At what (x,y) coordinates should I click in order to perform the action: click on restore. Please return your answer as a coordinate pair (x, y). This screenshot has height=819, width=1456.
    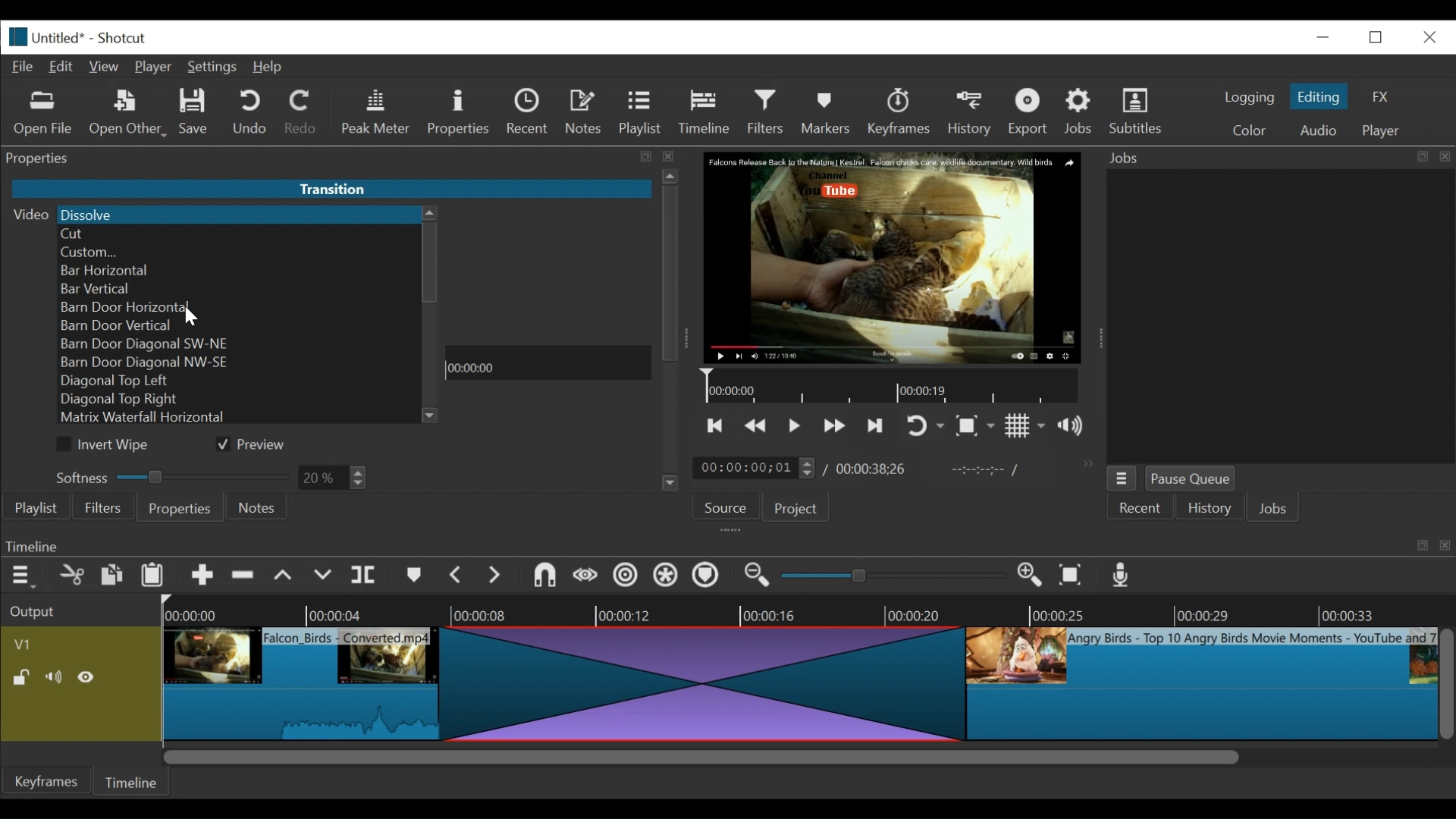
    Looking at the image, I should click on (1380, 36).